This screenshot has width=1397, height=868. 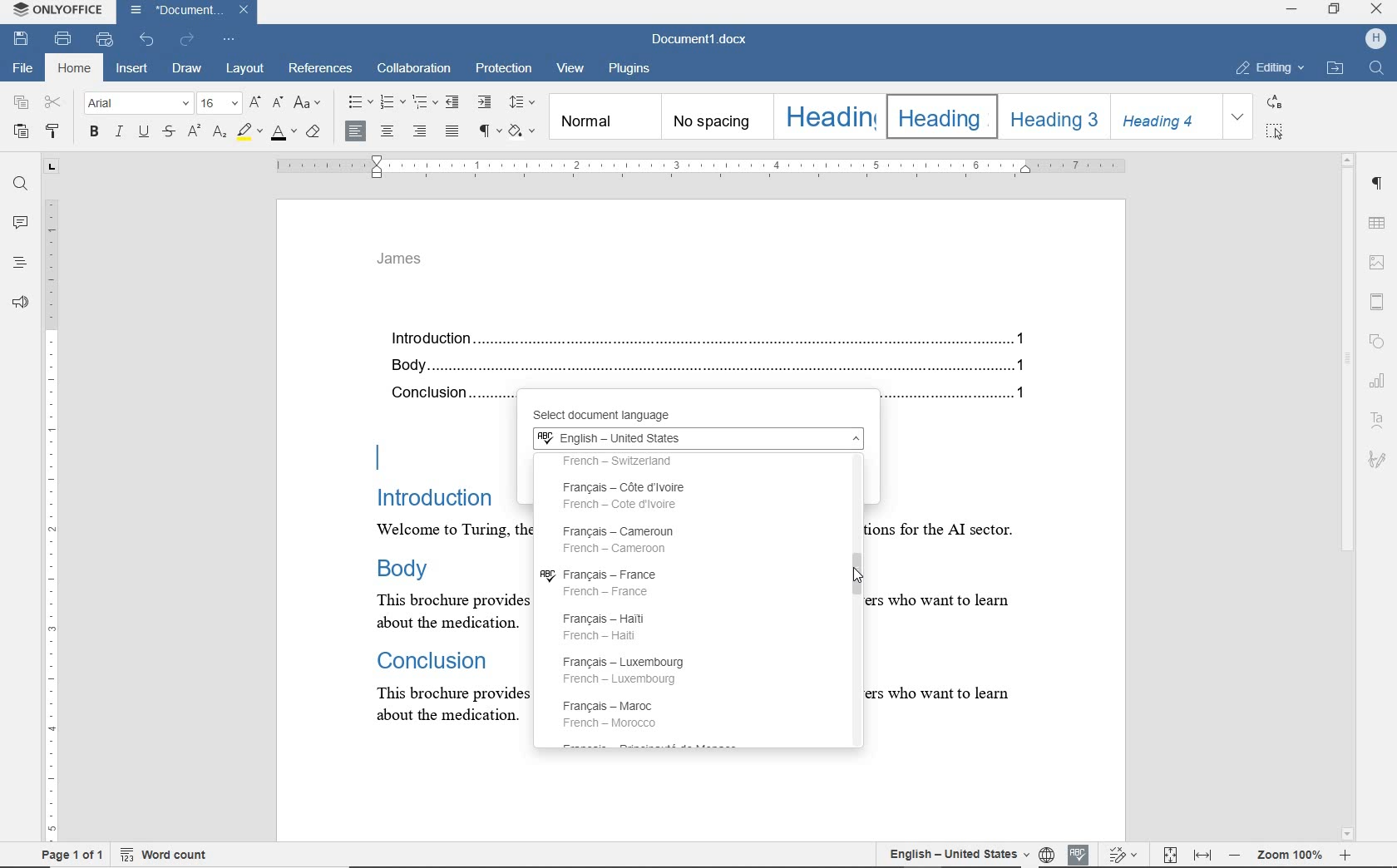 I want to click on multilevel list, so click(x=423, y=101).